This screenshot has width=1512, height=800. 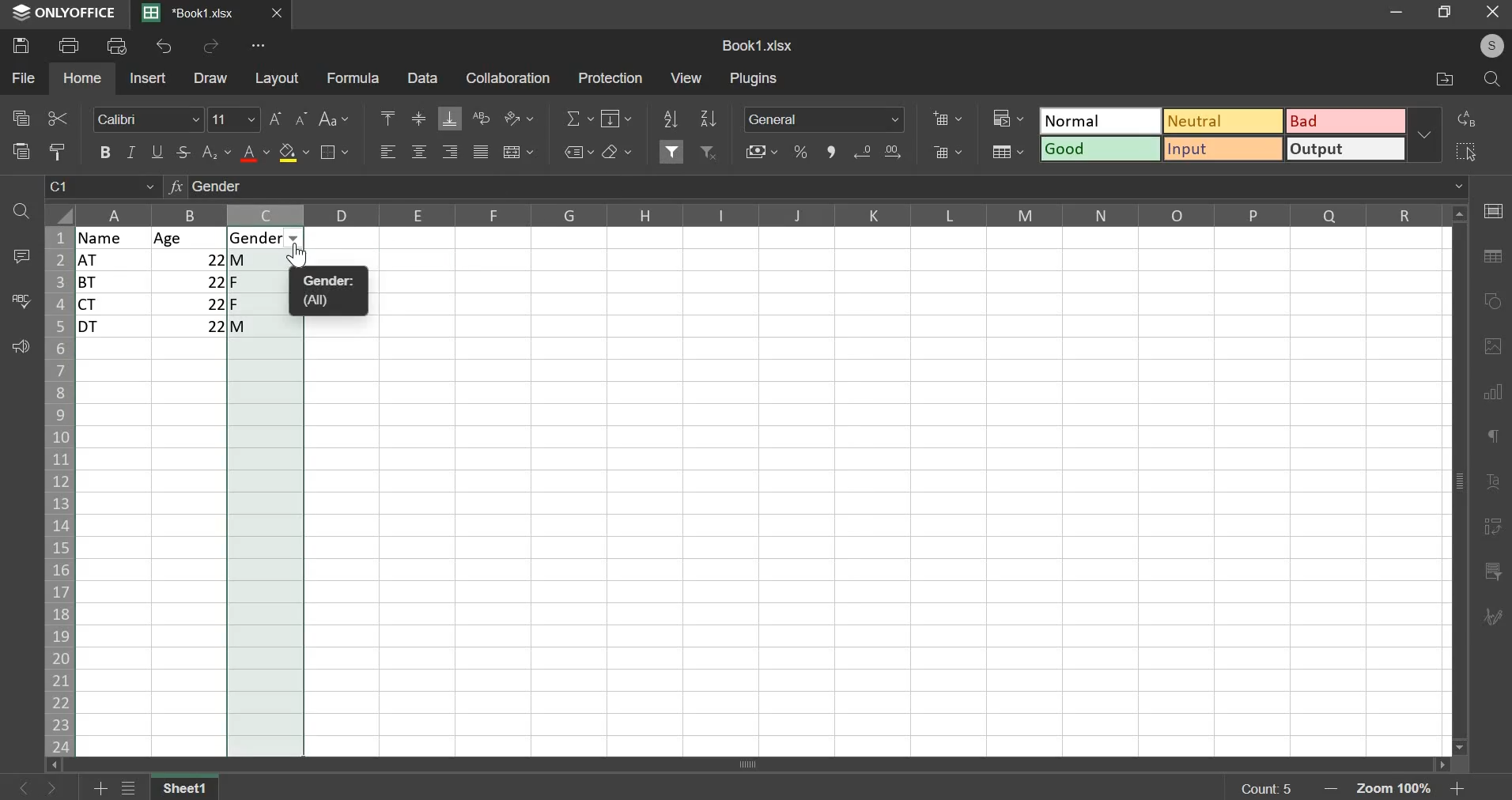 I want to click on accounting style, so click(x=763, y=152).